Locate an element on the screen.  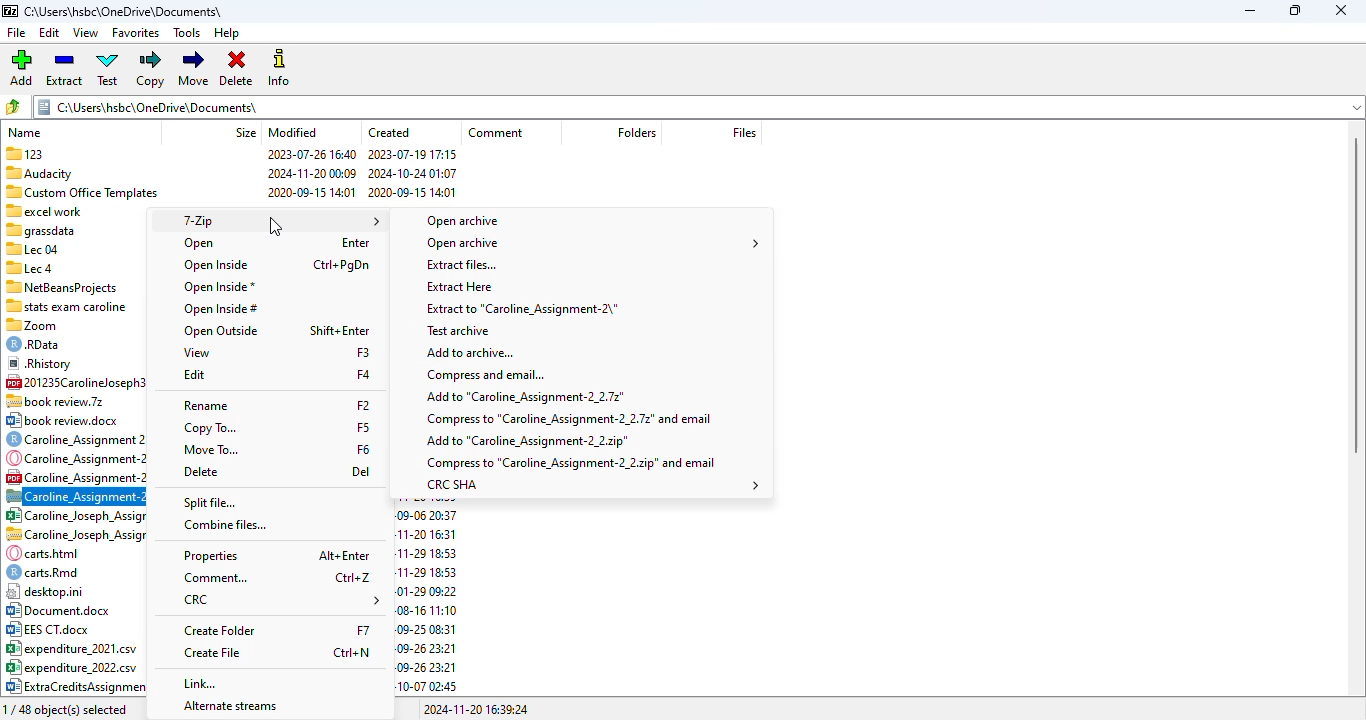
open is located at coordinates (200, 243).